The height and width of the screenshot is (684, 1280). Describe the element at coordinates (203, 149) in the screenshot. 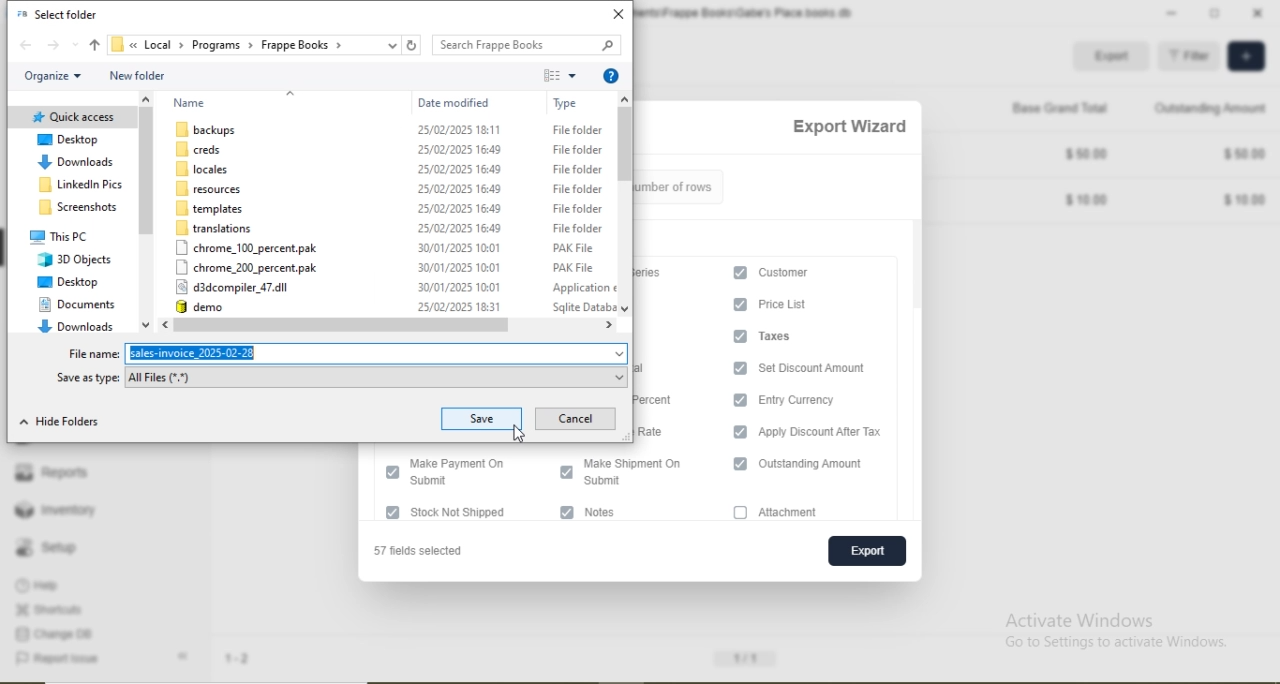

I see `creas` at that location.